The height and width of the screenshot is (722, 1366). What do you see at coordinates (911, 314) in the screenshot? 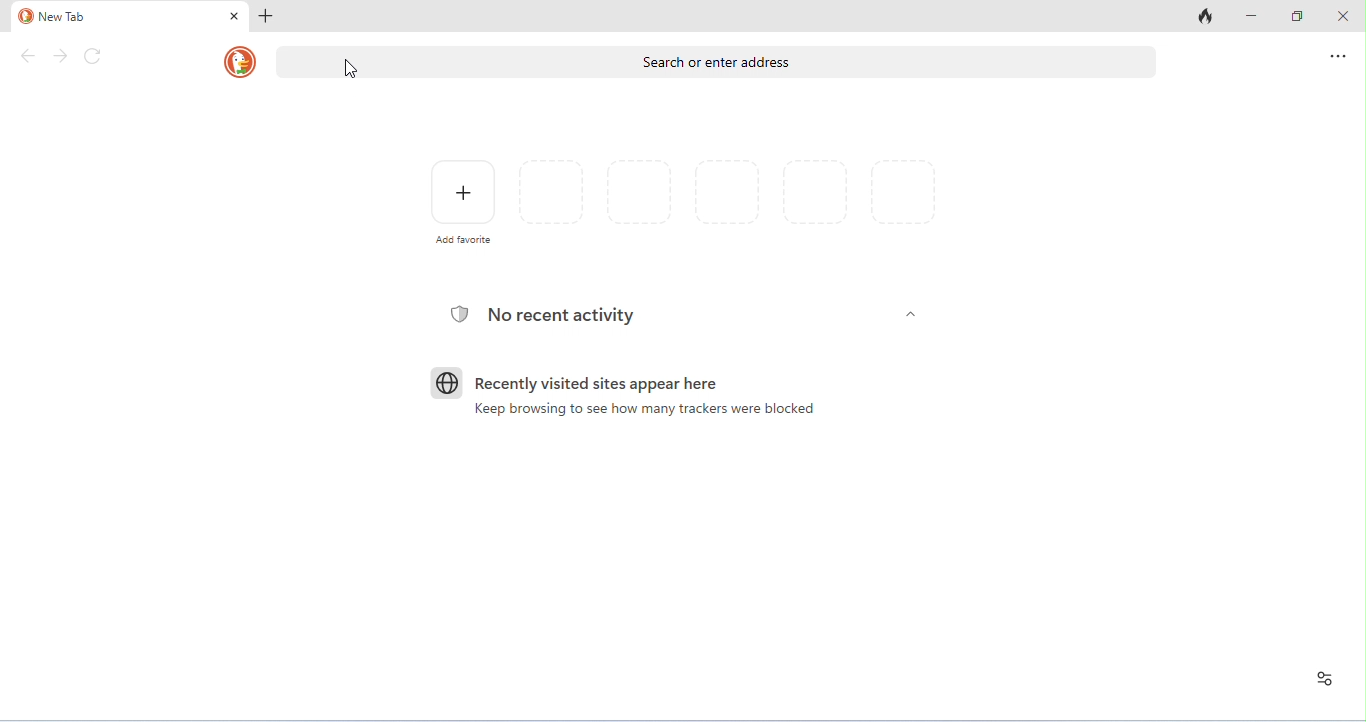
I see `Show/Hide recent activity` at bounding box center [911, 314].